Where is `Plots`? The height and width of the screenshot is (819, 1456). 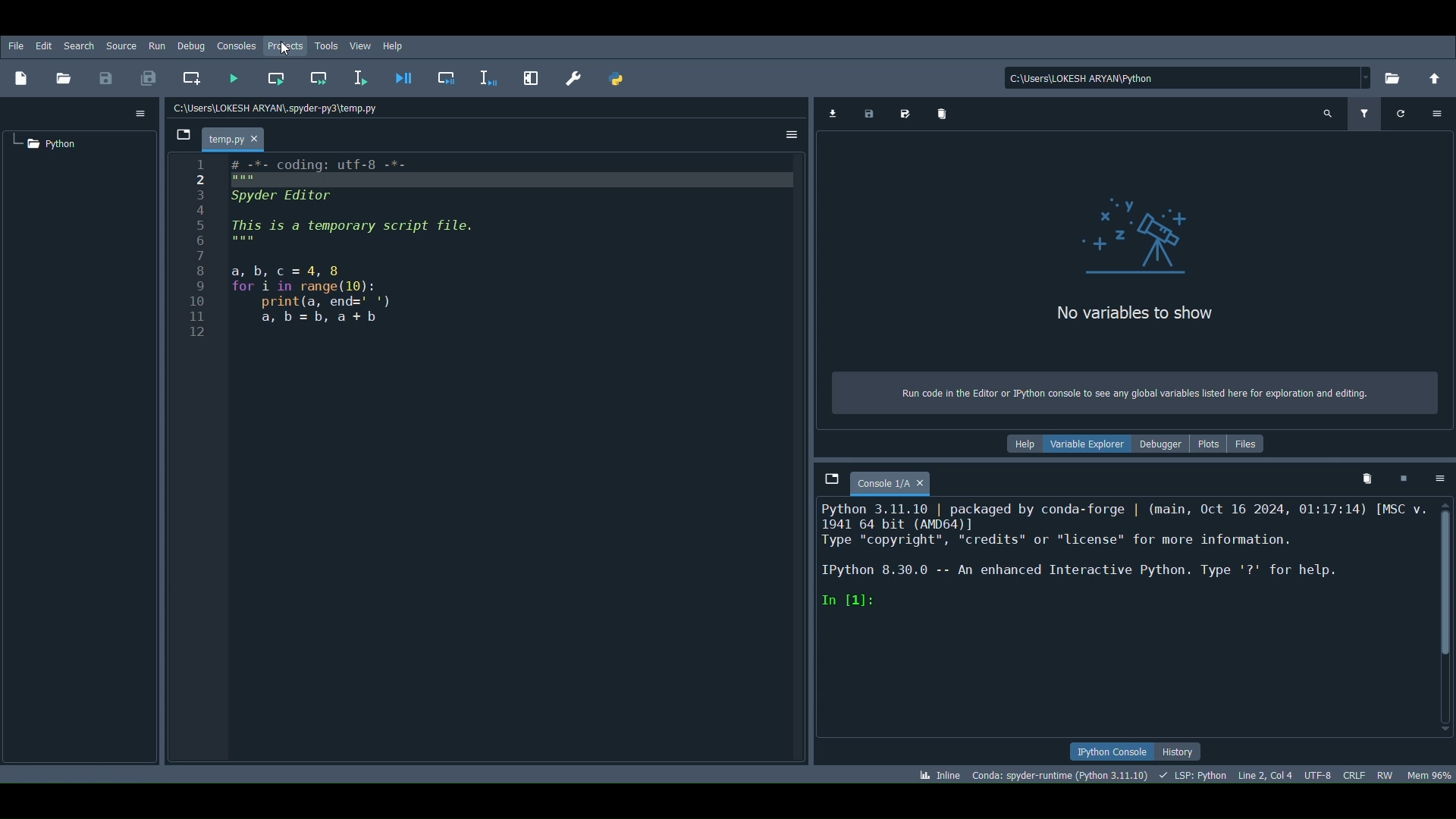
Plots is located at coordinates (1209, 443).